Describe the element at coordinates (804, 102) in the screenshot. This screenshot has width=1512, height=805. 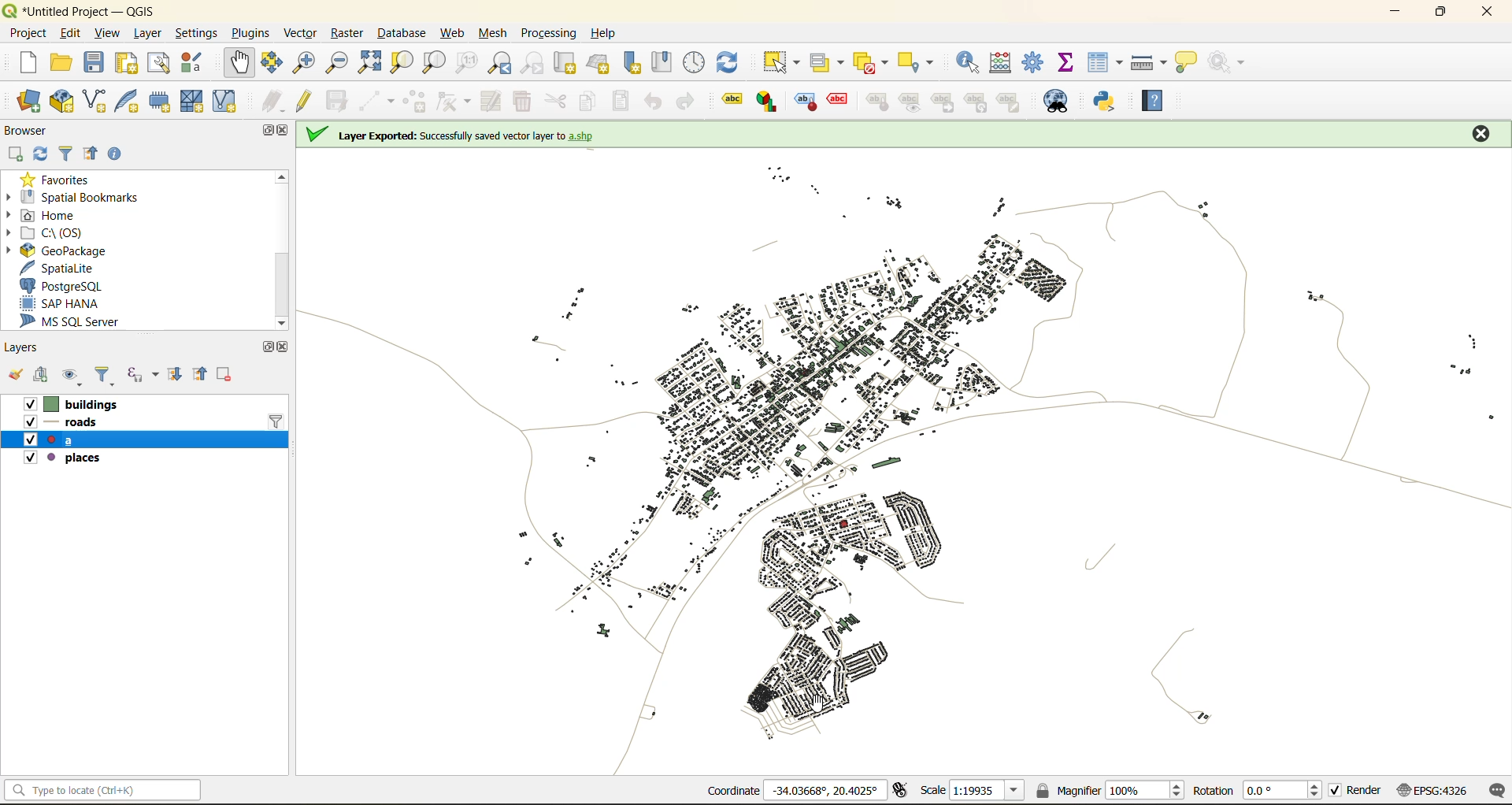
I see `highlight pinned labels and diagram` at that location.